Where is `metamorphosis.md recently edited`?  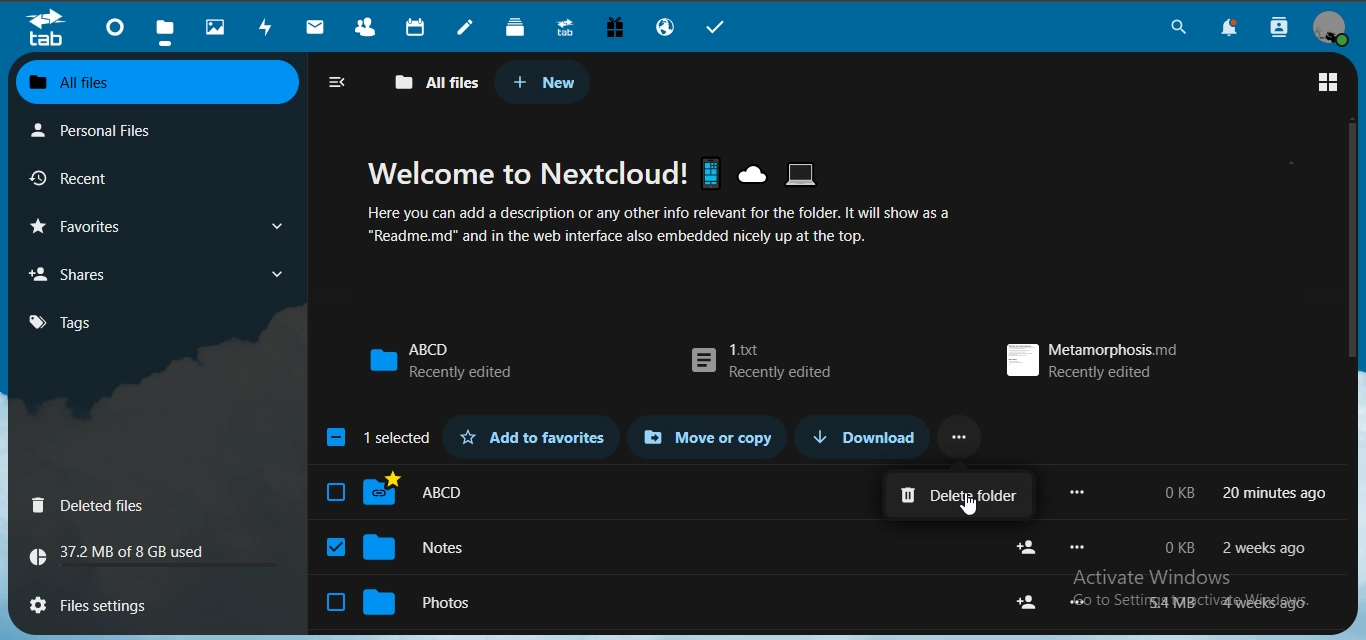
metamorphosis.md recently edited is located at coordinates (1093, 357).